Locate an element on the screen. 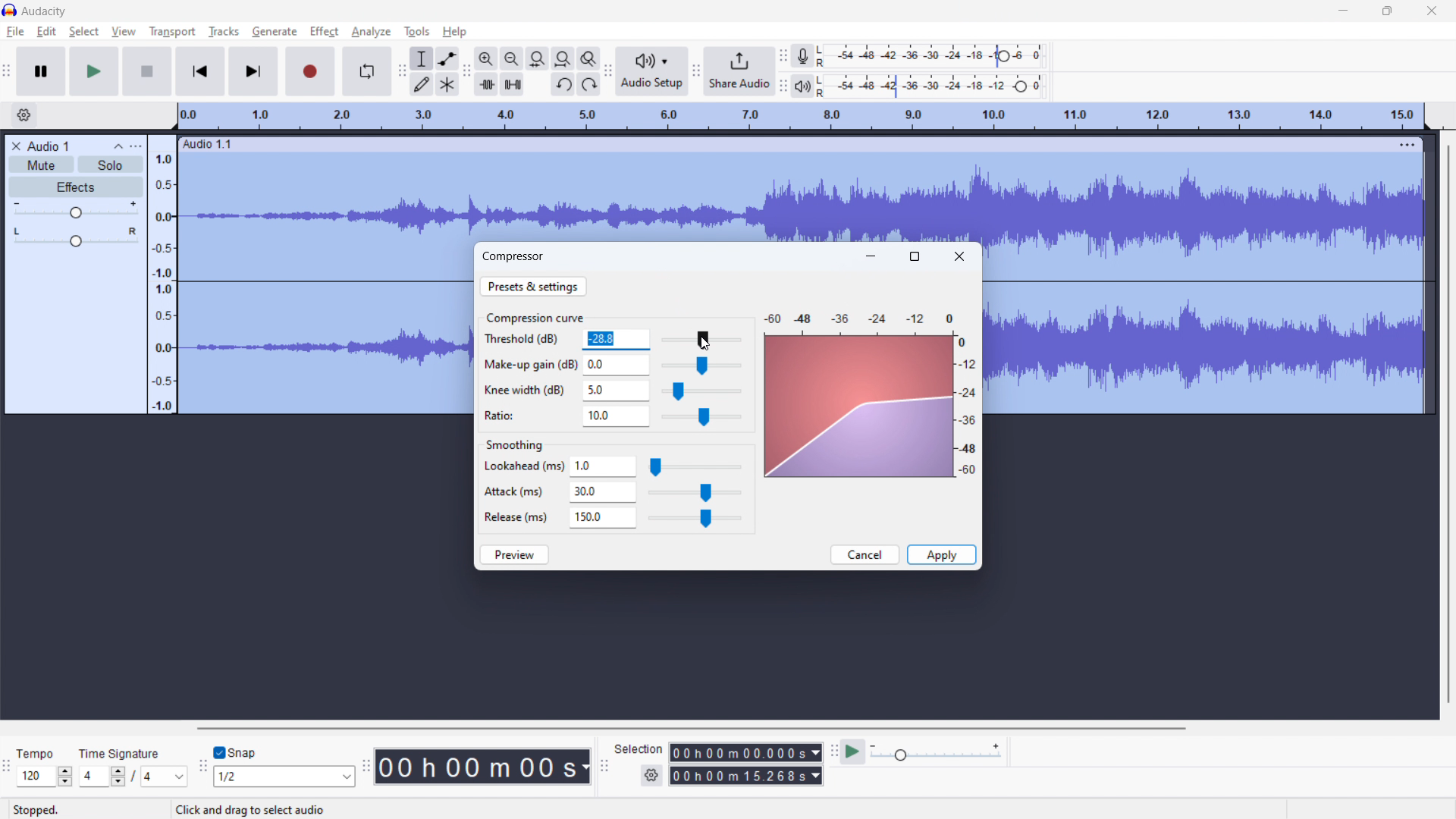 This screenshot has width=1456, height=819. fit project to width is located at coordinates (563, 58).